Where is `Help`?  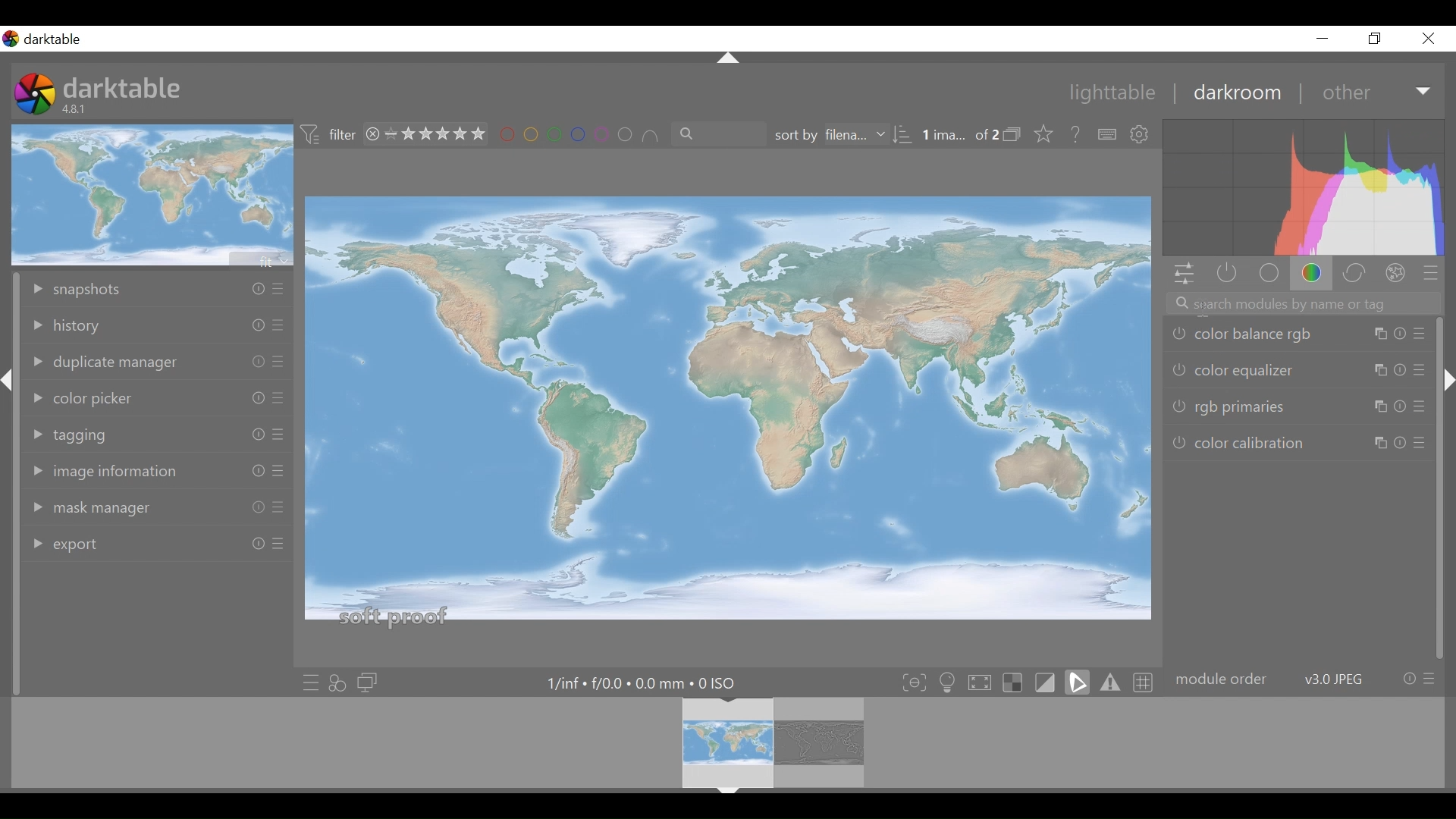 Help is located at coordinates (1076, 133).